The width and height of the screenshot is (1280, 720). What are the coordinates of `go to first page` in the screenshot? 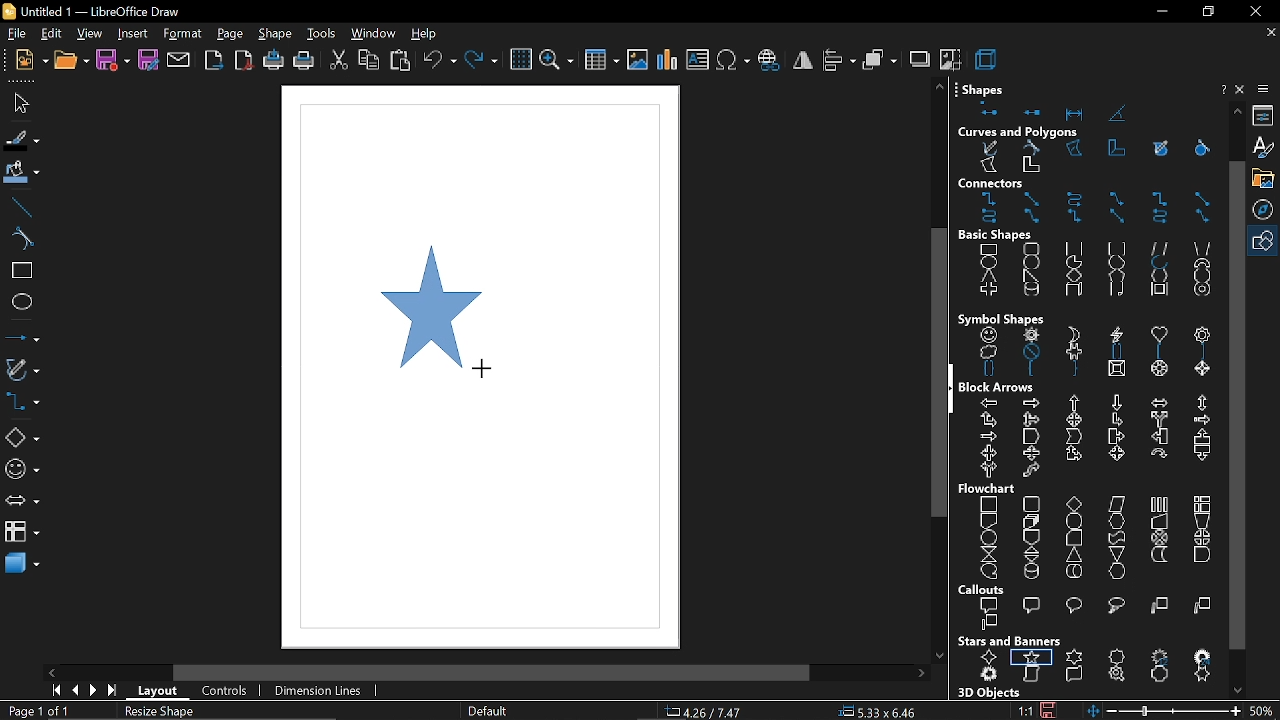 It's located at (54, 690).